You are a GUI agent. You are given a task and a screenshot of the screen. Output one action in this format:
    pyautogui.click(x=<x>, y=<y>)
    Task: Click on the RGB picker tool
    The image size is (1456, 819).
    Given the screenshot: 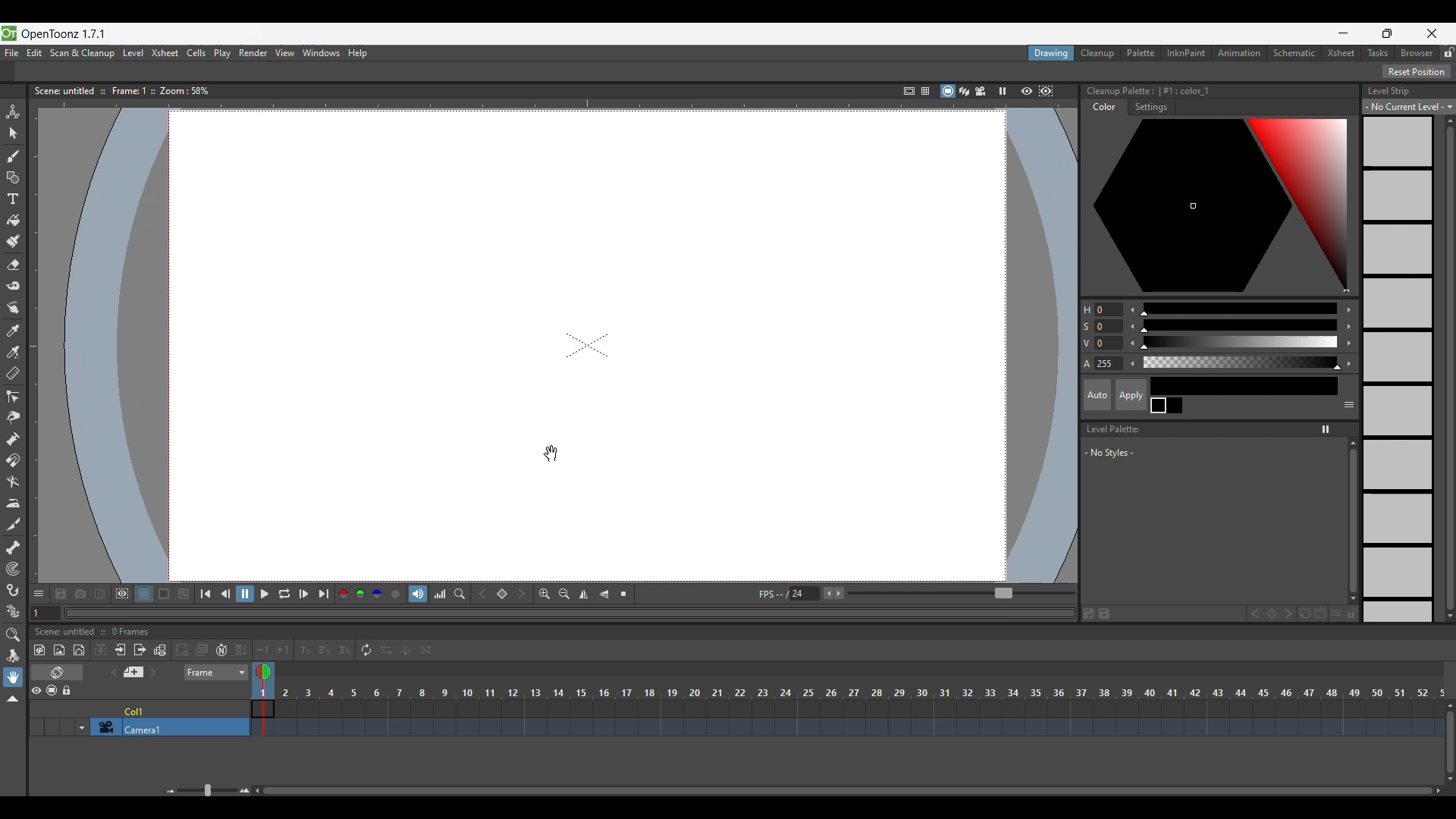 What is the action you would take?
    pyautogui.click(x=14, y=353)
    